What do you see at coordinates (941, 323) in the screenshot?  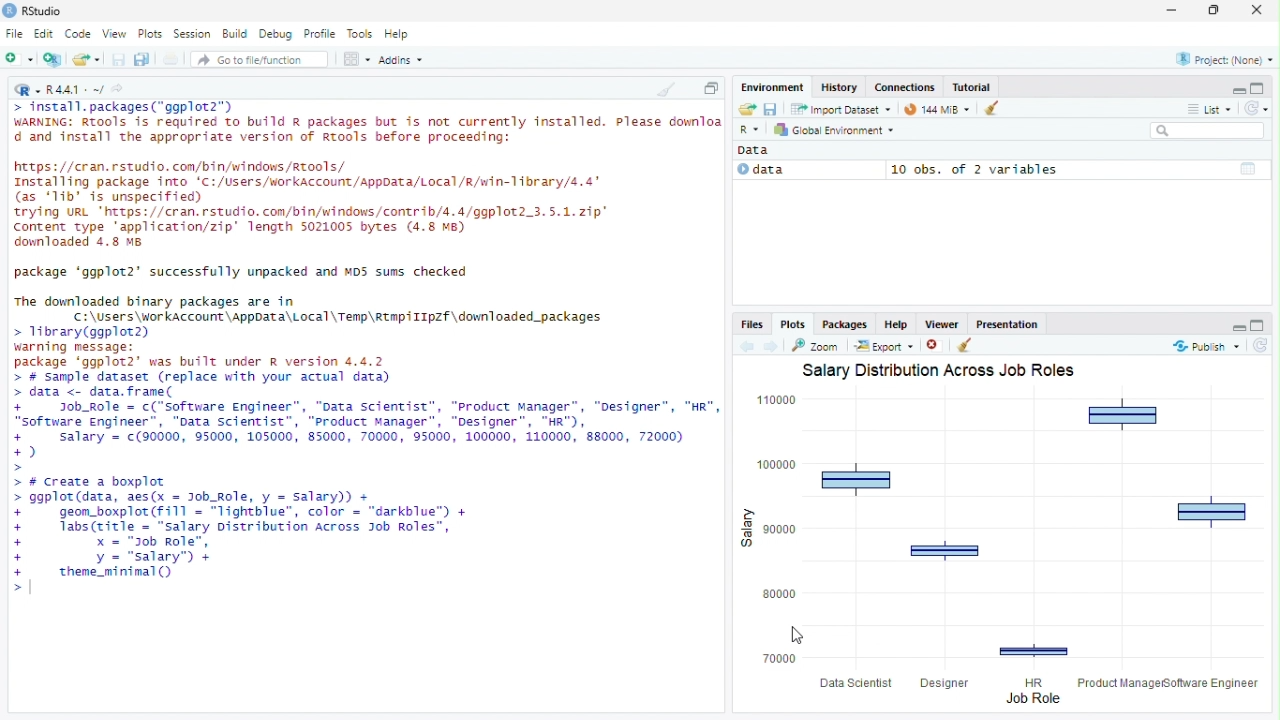 I see `Viewer` at bounding box center [941, 323].